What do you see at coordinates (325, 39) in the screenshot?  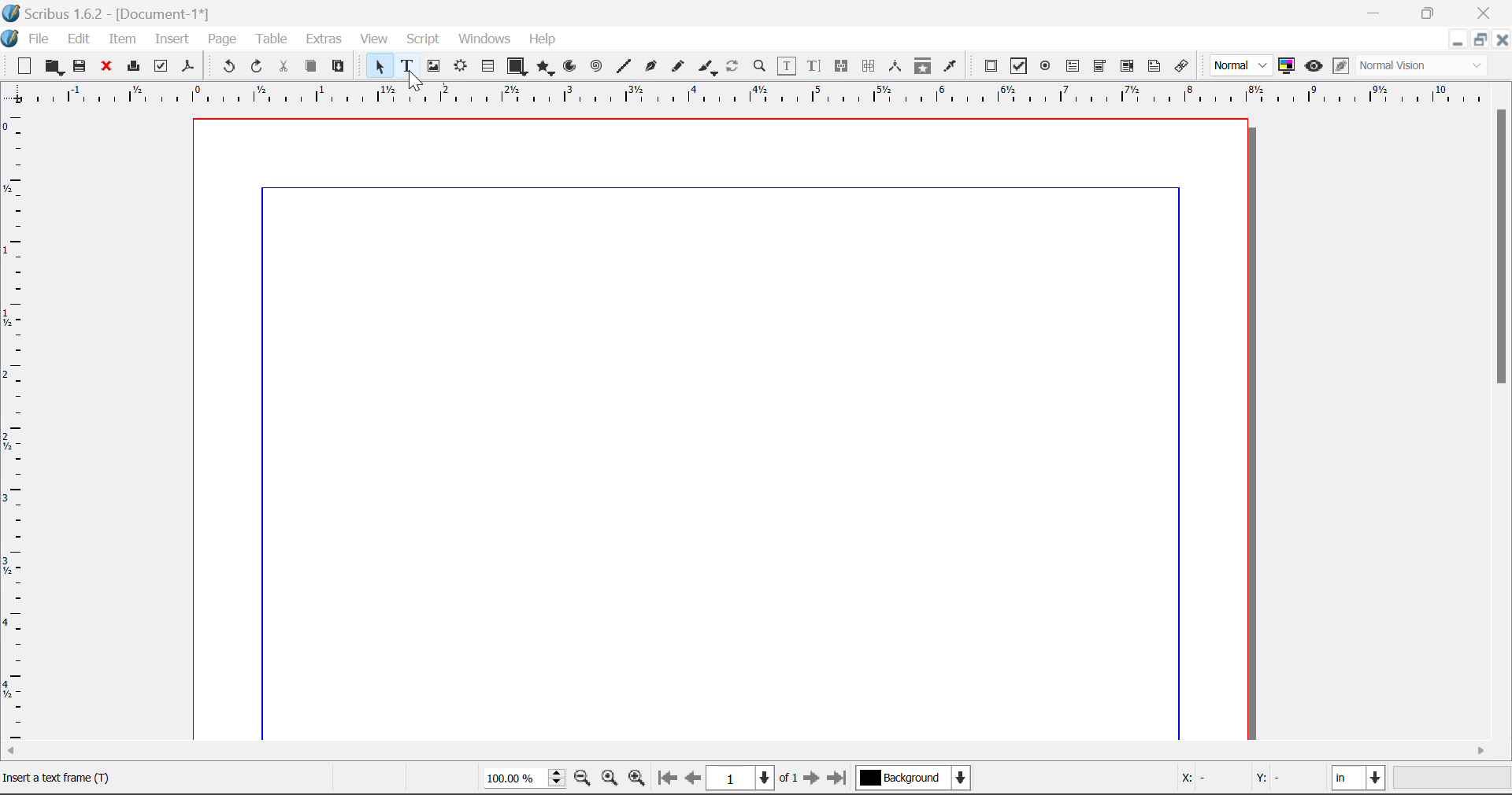 I see `Extras` at bounding box center [325, 39].